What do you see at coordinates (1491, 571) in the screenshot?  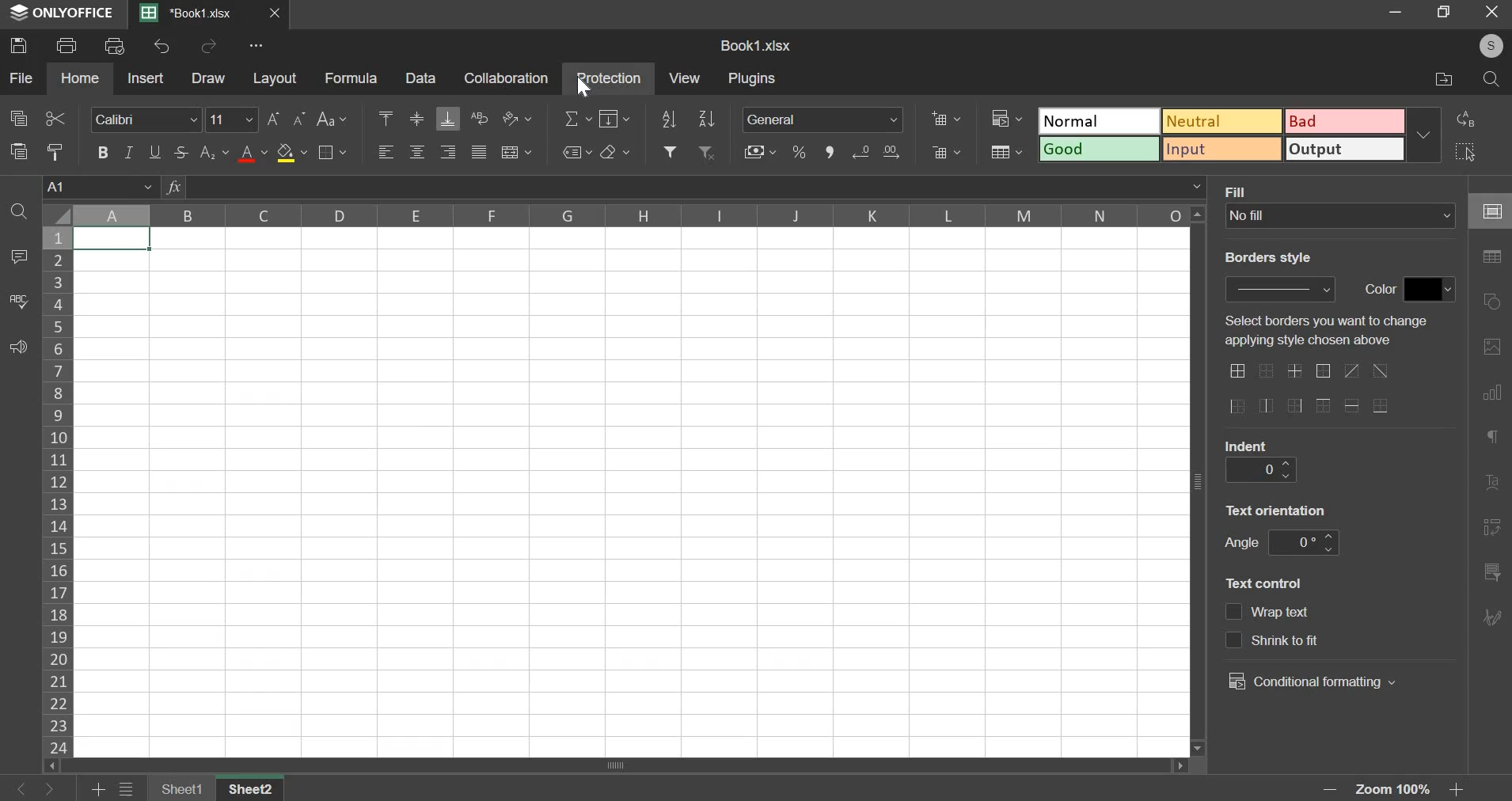 I see `right side bar` at bounding box center [1491, 571].